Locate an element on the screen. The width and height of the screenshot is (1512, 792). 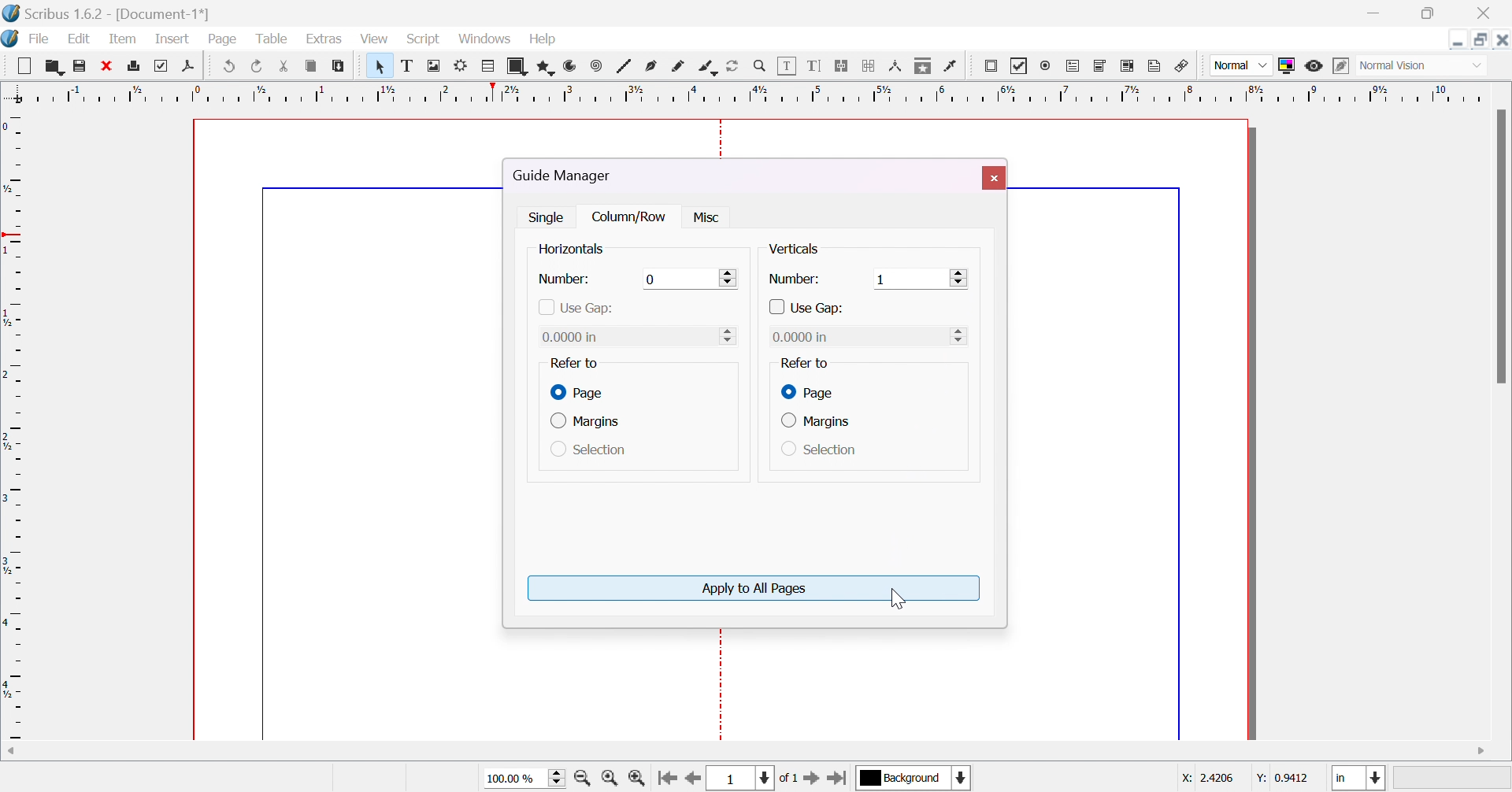
select current size is located at coordinates (524, 776).